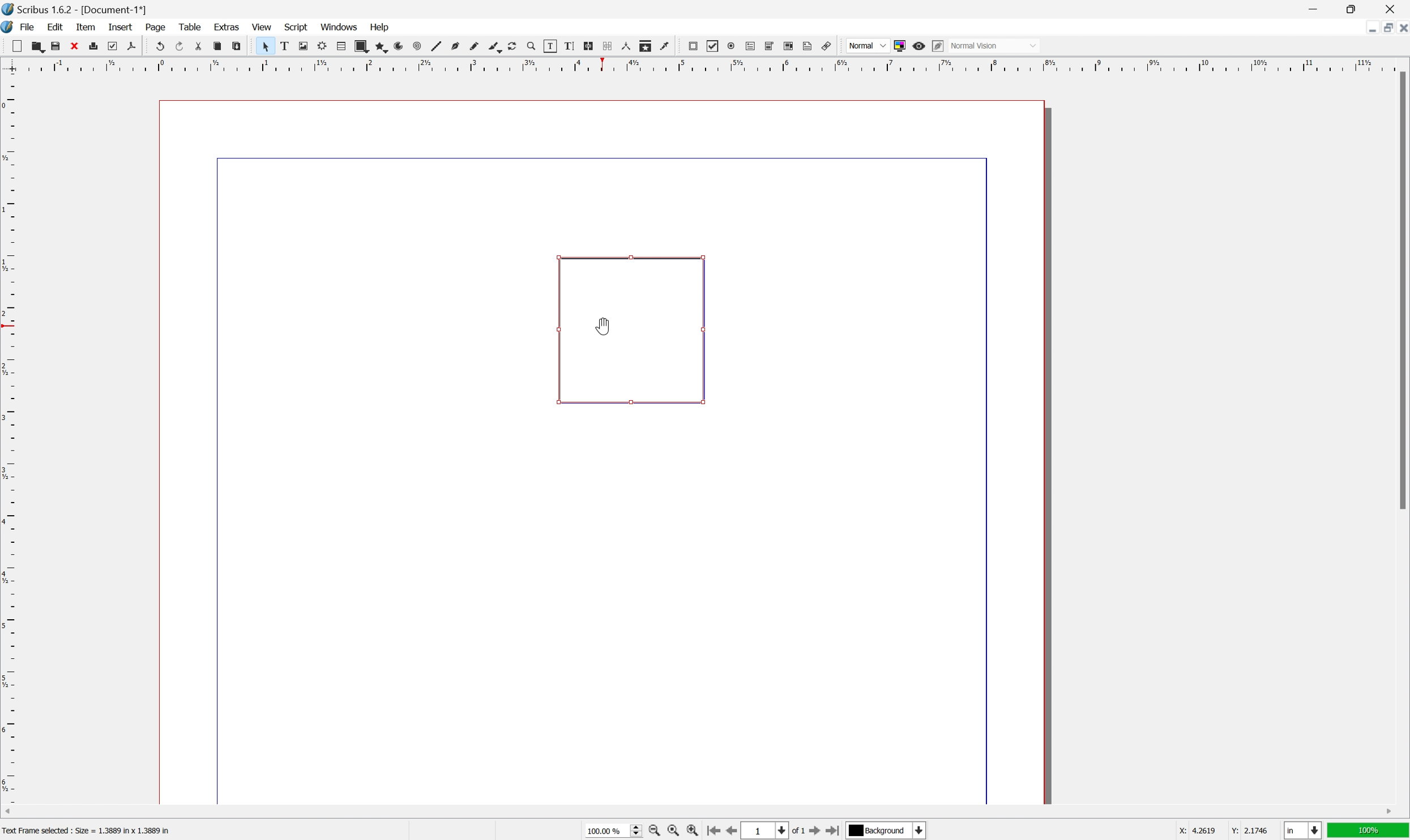 This screenshot has width=1410, height=840. I want to click on go to first page, so click(713, 832).